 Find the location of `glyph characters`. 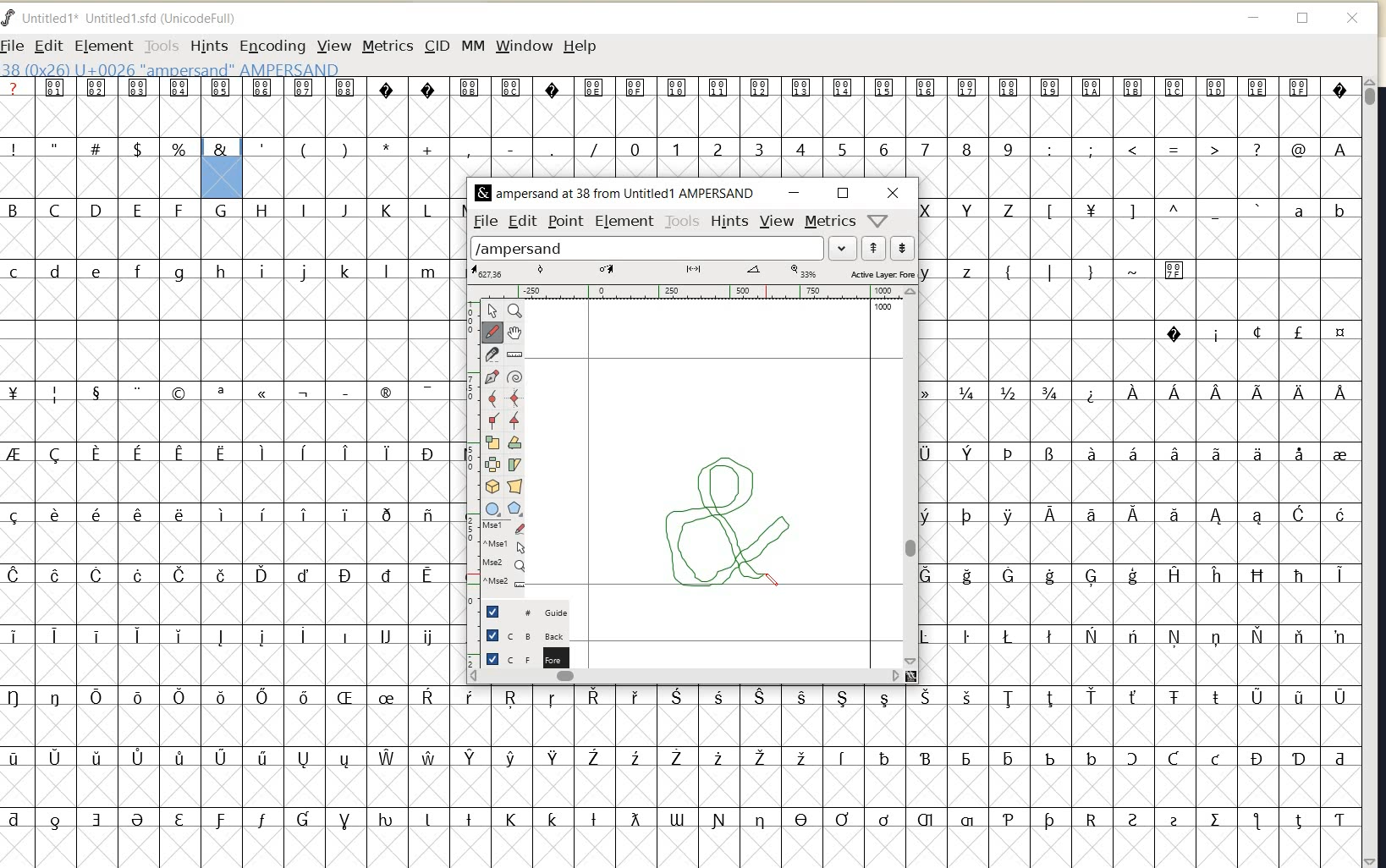

glyph characters is located at coordinates (325, 525).